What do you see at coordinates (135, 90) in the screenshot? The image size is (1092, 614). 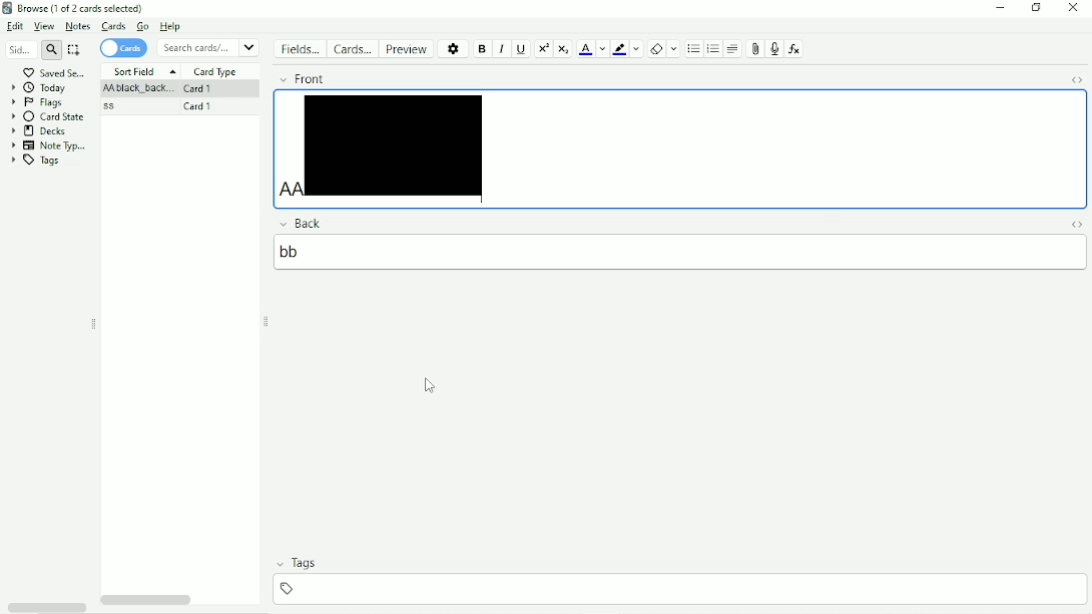 I see `AA` at bounding box center [135, 90].